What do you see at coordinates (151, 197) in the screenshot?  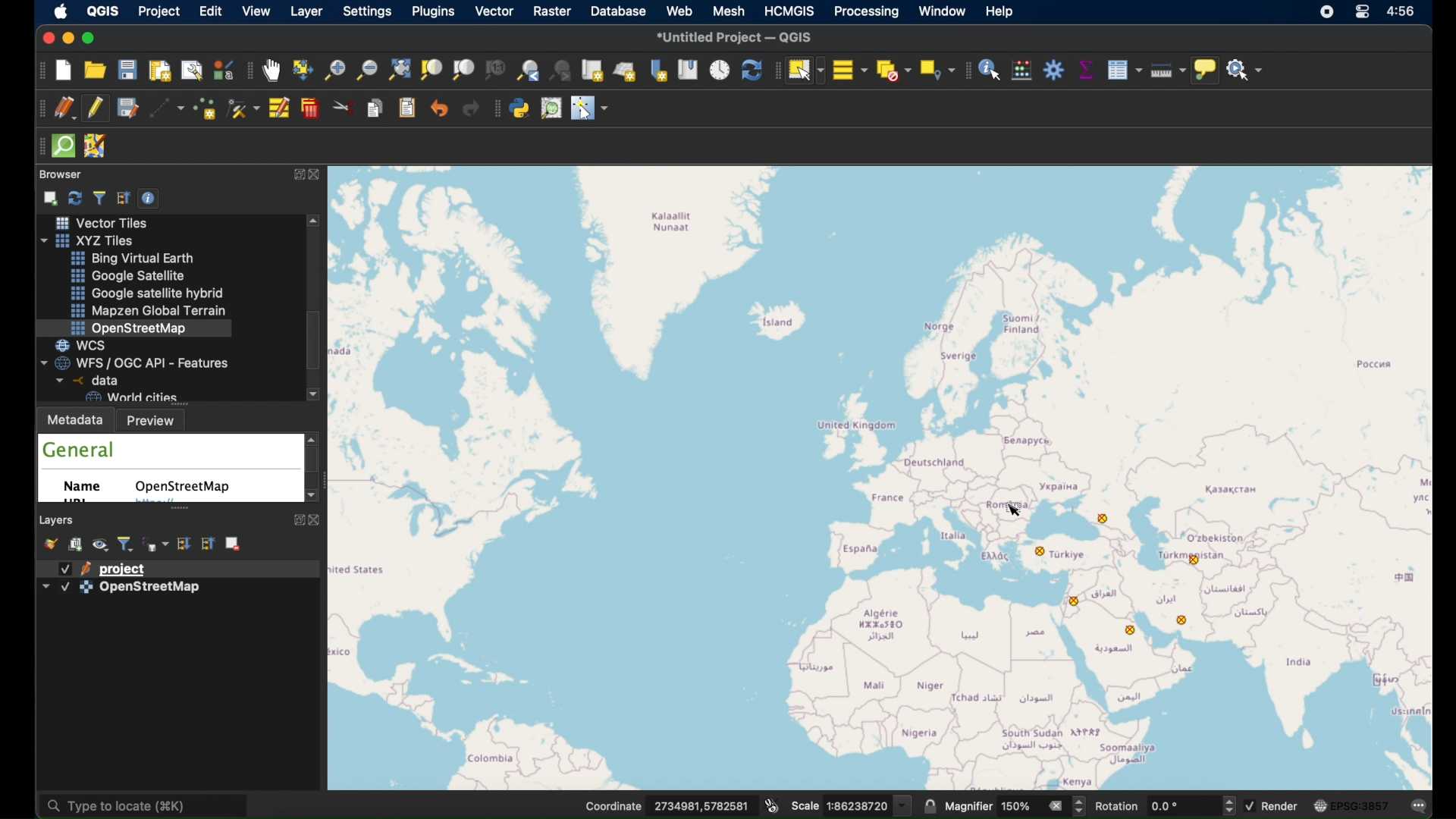 I see `enable/disbale properties widget` at bounding box center [151, 197].